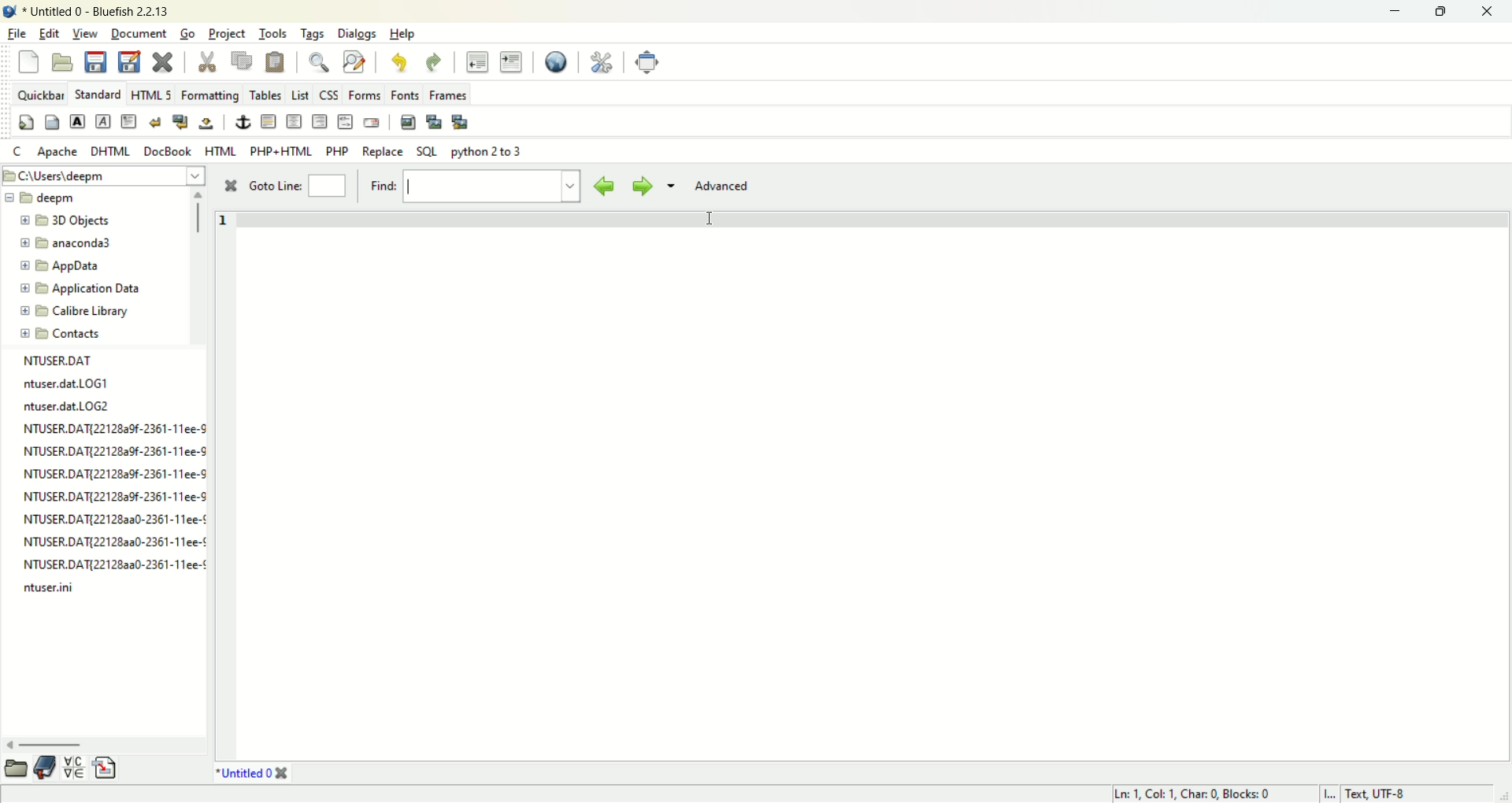  What do you see at coordinates (209, 98) in the screenshot?
I see `formatting` at bounding box center [209, 98].